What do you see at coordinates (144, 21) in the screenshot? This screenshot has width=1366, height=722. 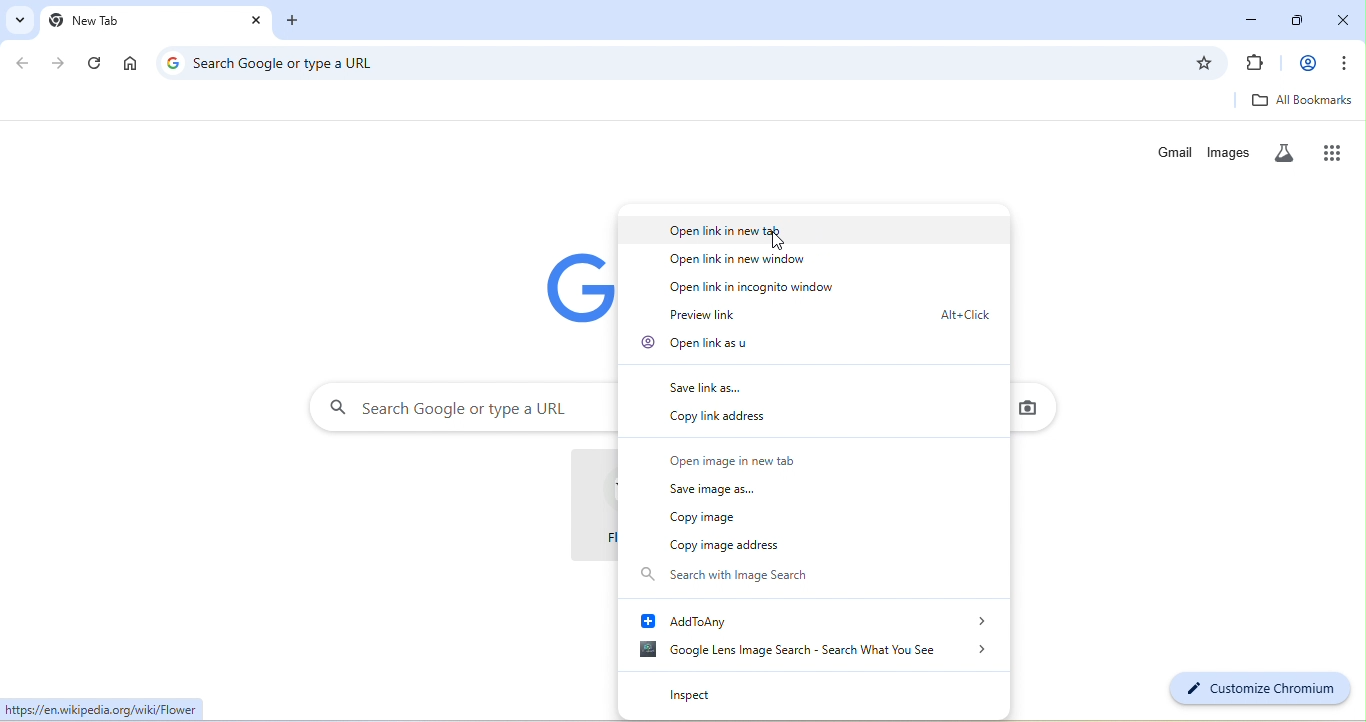 I see `new tab` at bounding box center [144, 21].